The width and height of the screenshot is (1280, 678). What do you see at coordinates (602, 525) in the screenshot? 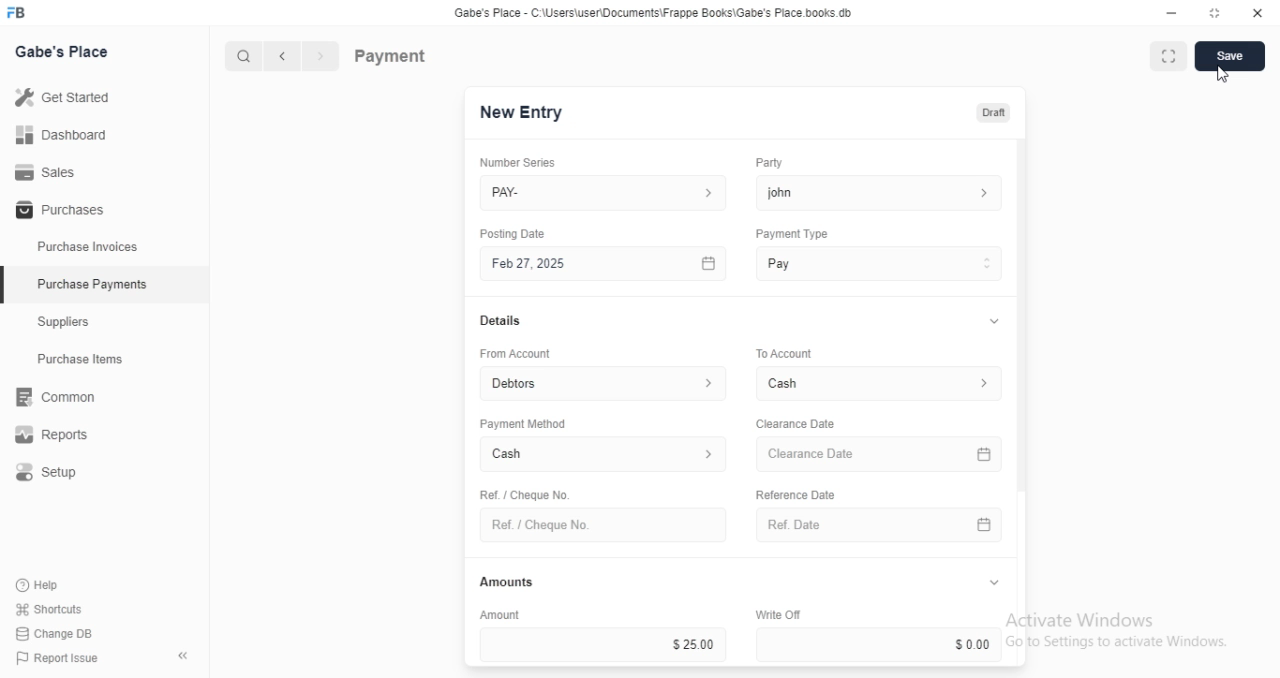
I see `Ref. / Cheque No.` at bounding box center [602, 525].